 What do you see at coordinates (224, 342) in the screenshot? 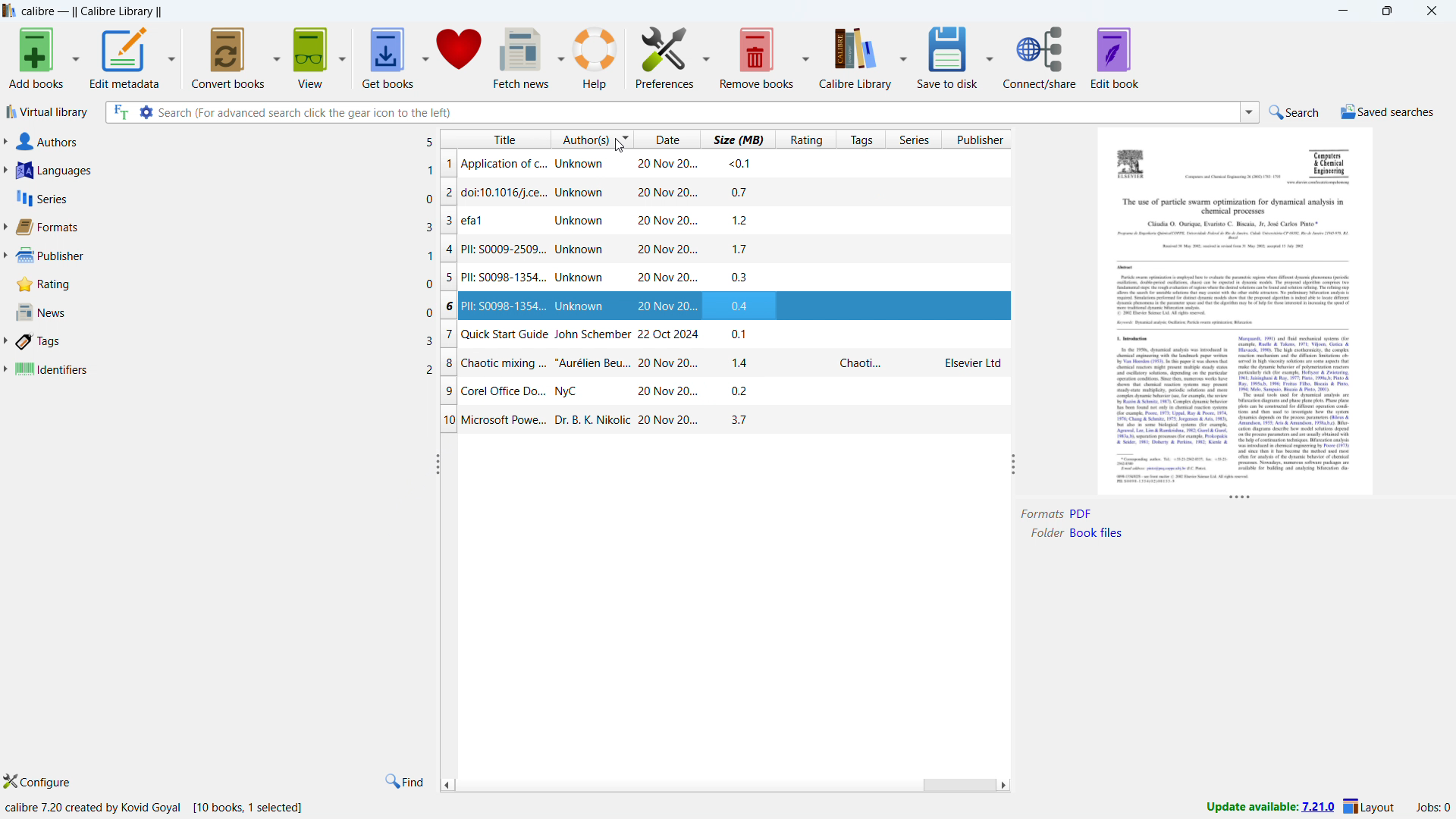
I see `tags` at bounding box center [224, 342].